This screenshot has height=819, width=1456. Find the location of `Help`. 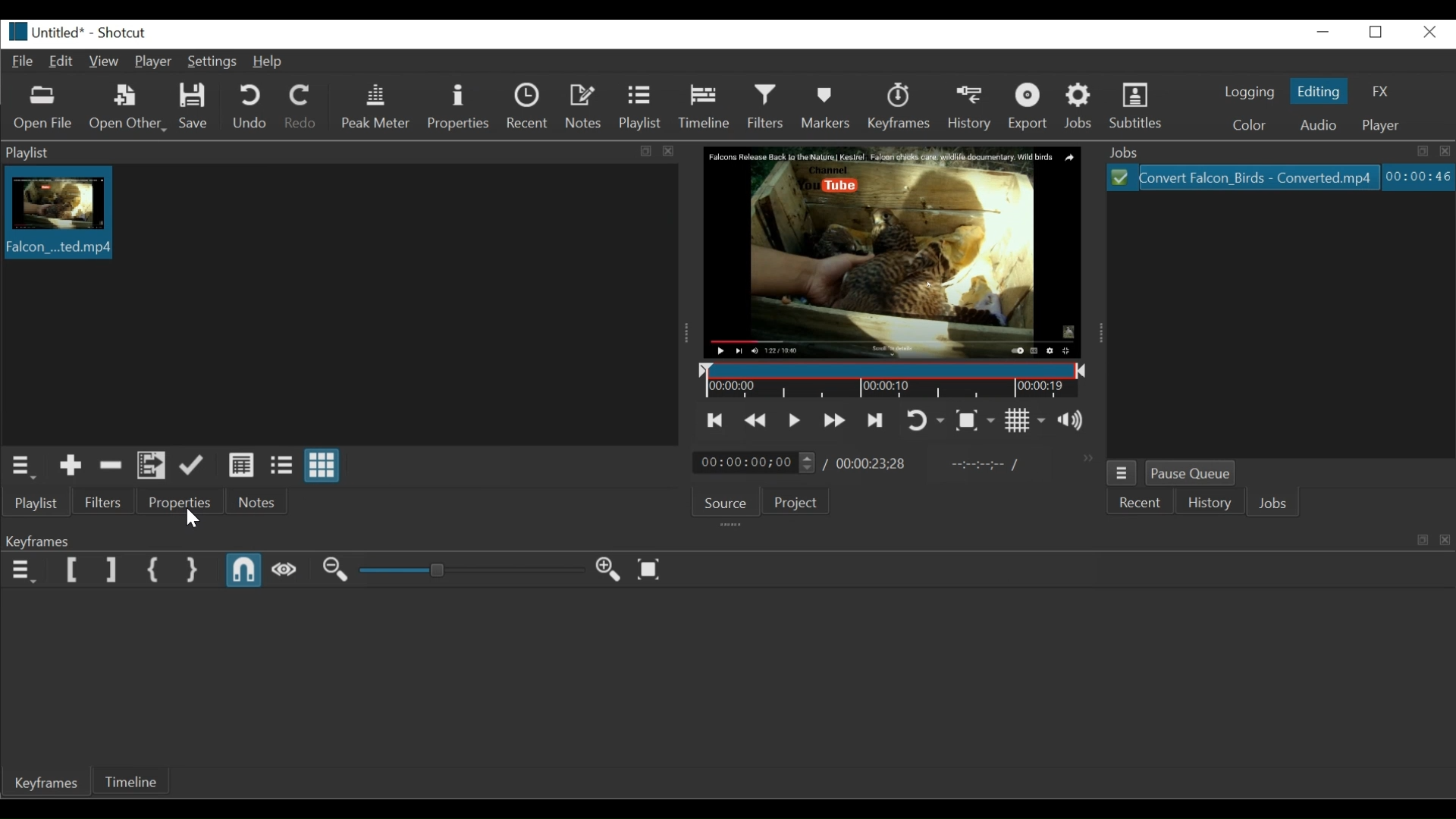

Help is located at coordinates (268, 63).